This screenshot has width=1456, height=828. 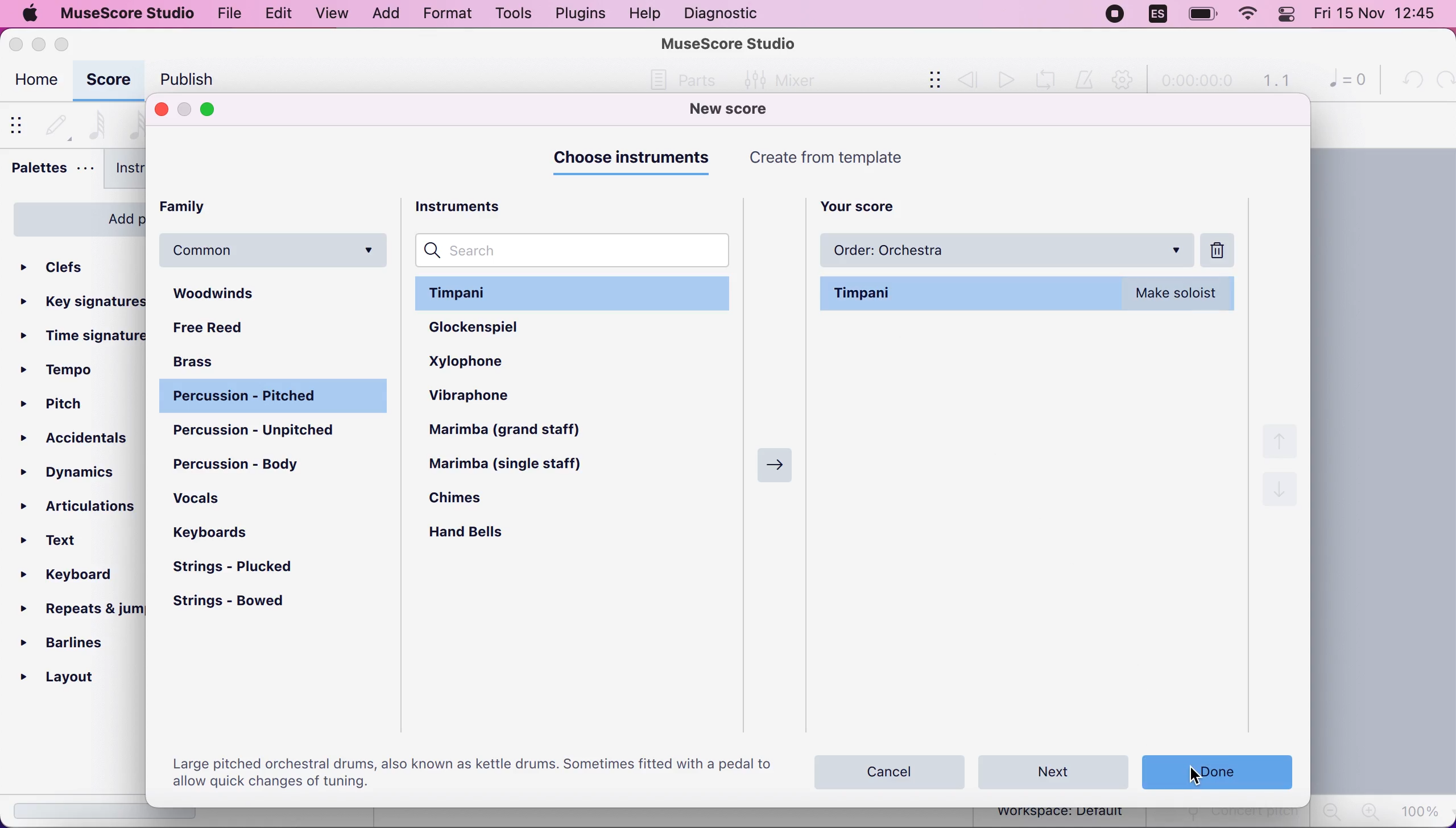 What do you see at coordinates (1342, 82) in the screenshot?
I see `0` at bounding box center [1342, 82].